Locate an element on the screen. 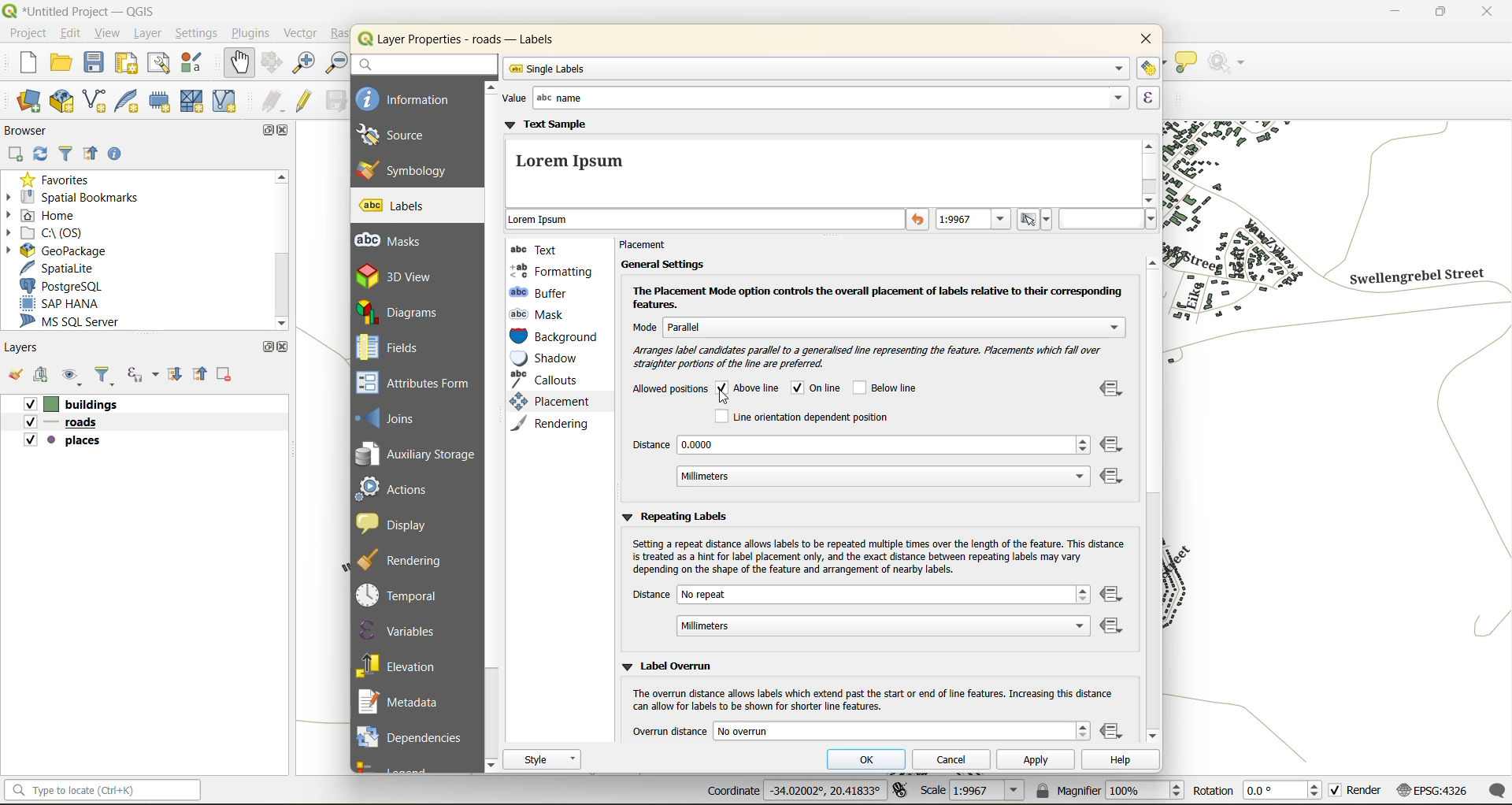 The width and height of the screenshot is (1512, 805). symbology is located at coordinates (402, 169).